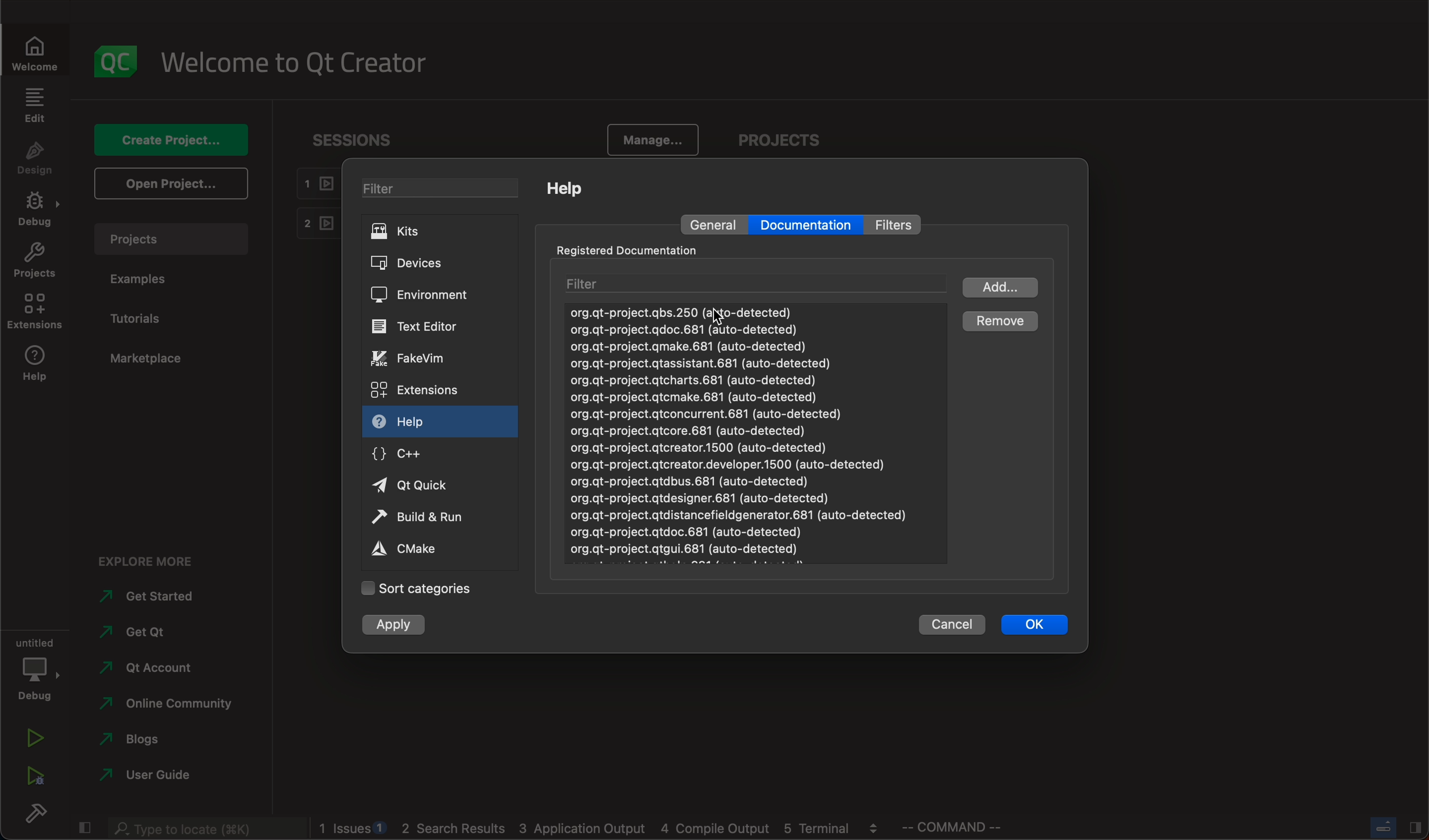 The width and height of the screenshot is (1429, 840). I want to click on create, so click(173, 140).